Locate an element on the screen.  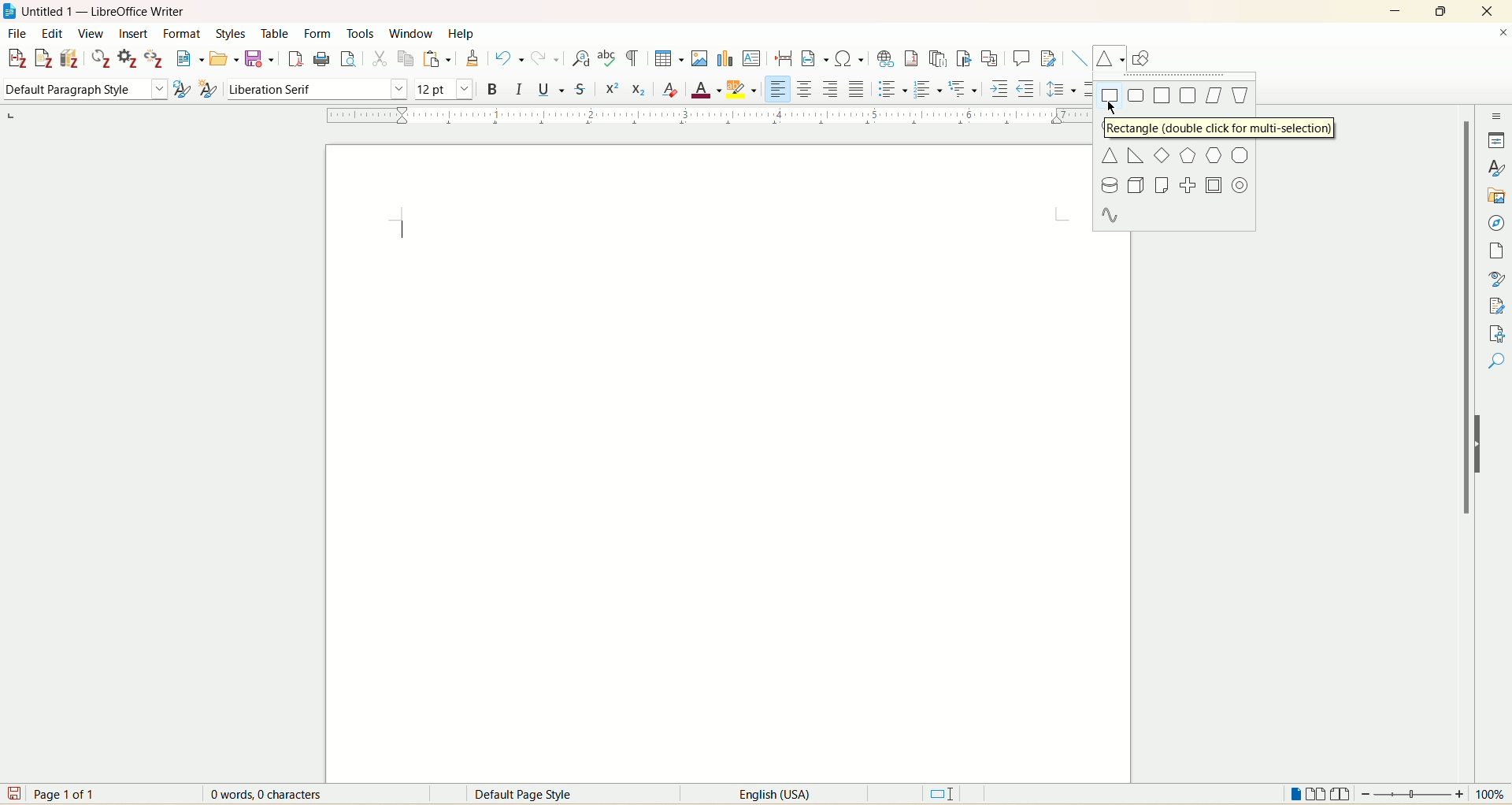
justified is located at coordinates (858, 89).